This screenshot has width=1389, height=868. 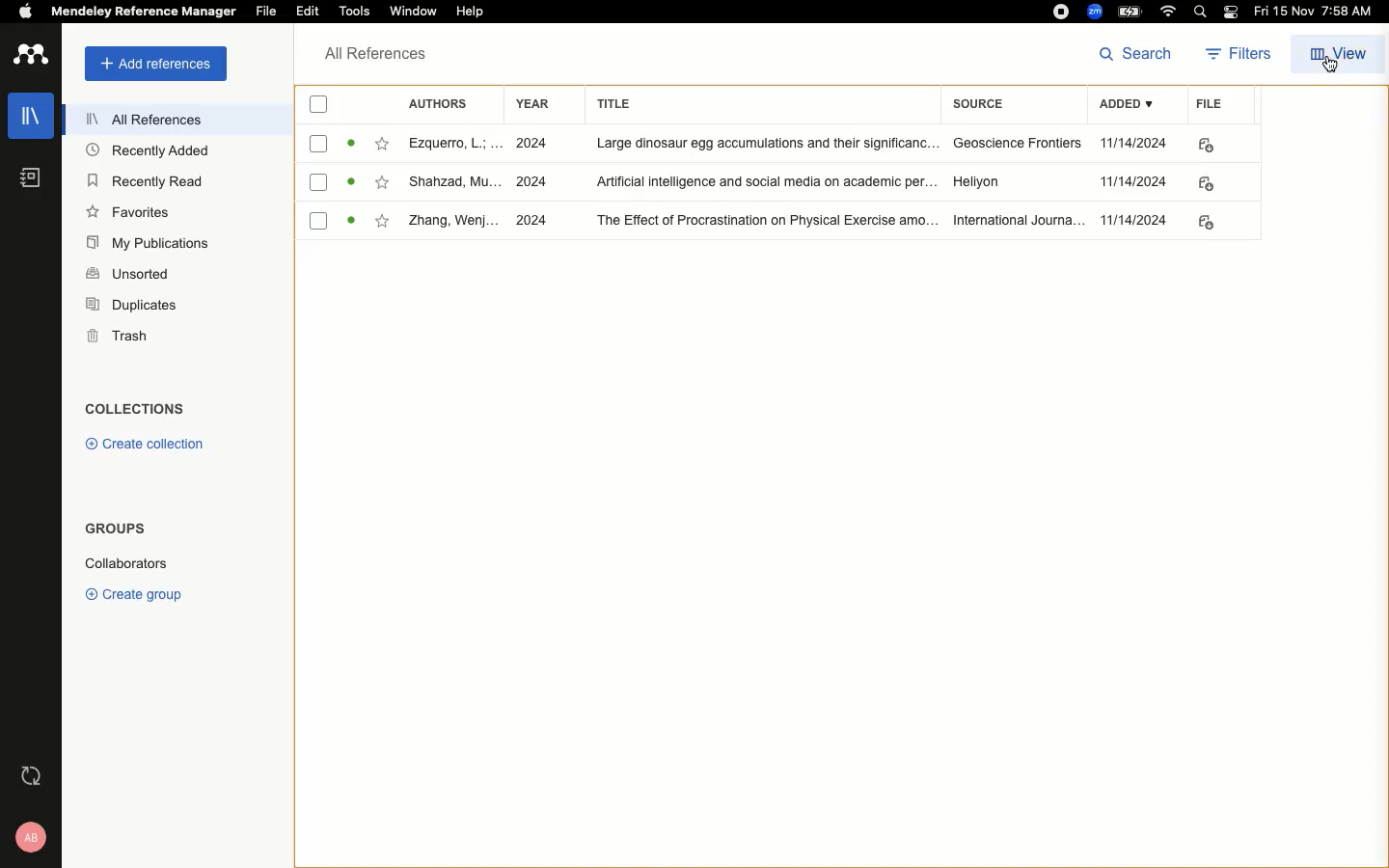 What do you see at coordinates (28, 181) in the screenshot?
I see `Notebook` at bounding box center [28, 181].